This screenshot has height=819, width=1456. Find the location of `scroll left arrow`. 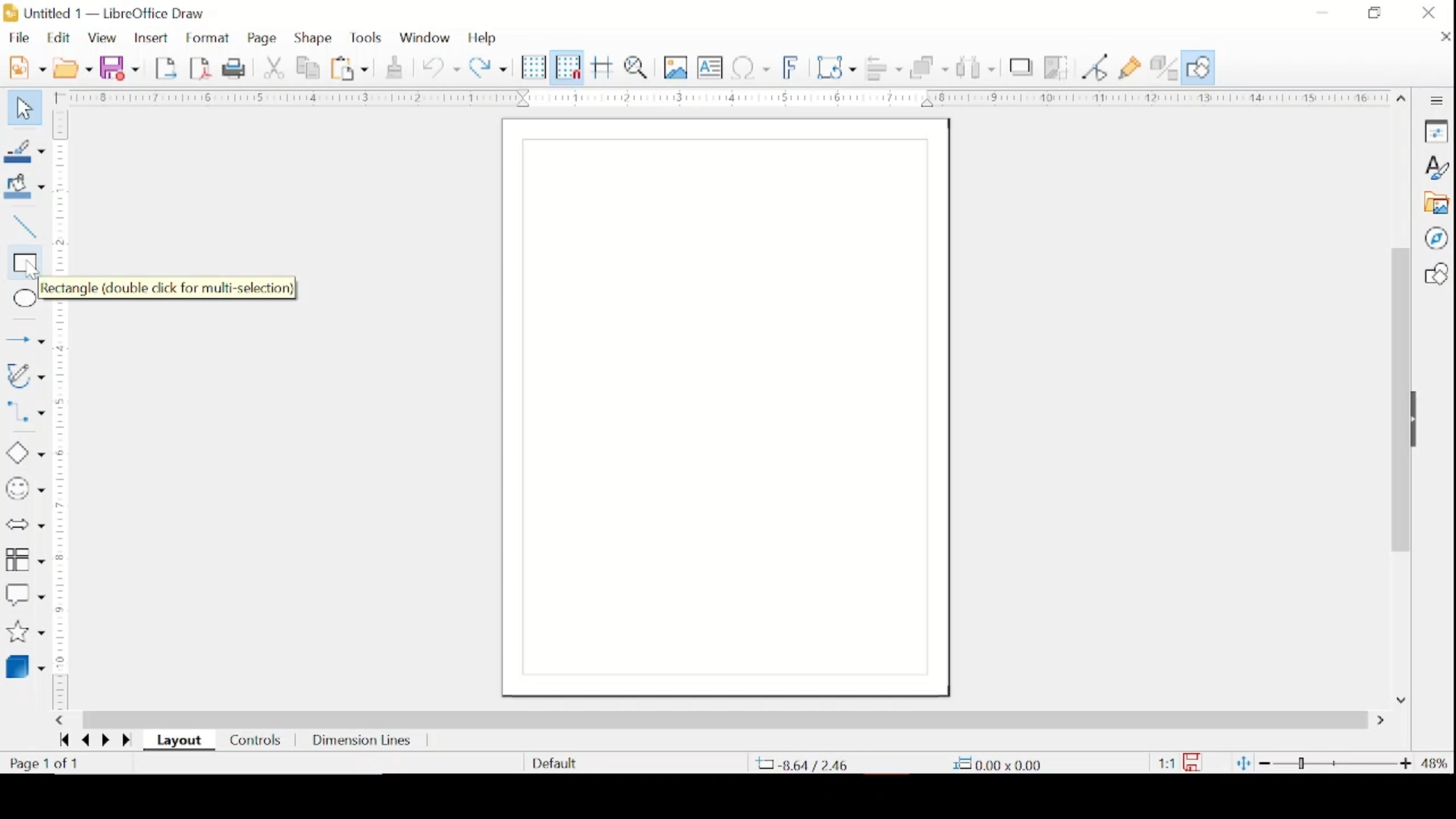

scroll left arrow is located at coordinates (59, 720).